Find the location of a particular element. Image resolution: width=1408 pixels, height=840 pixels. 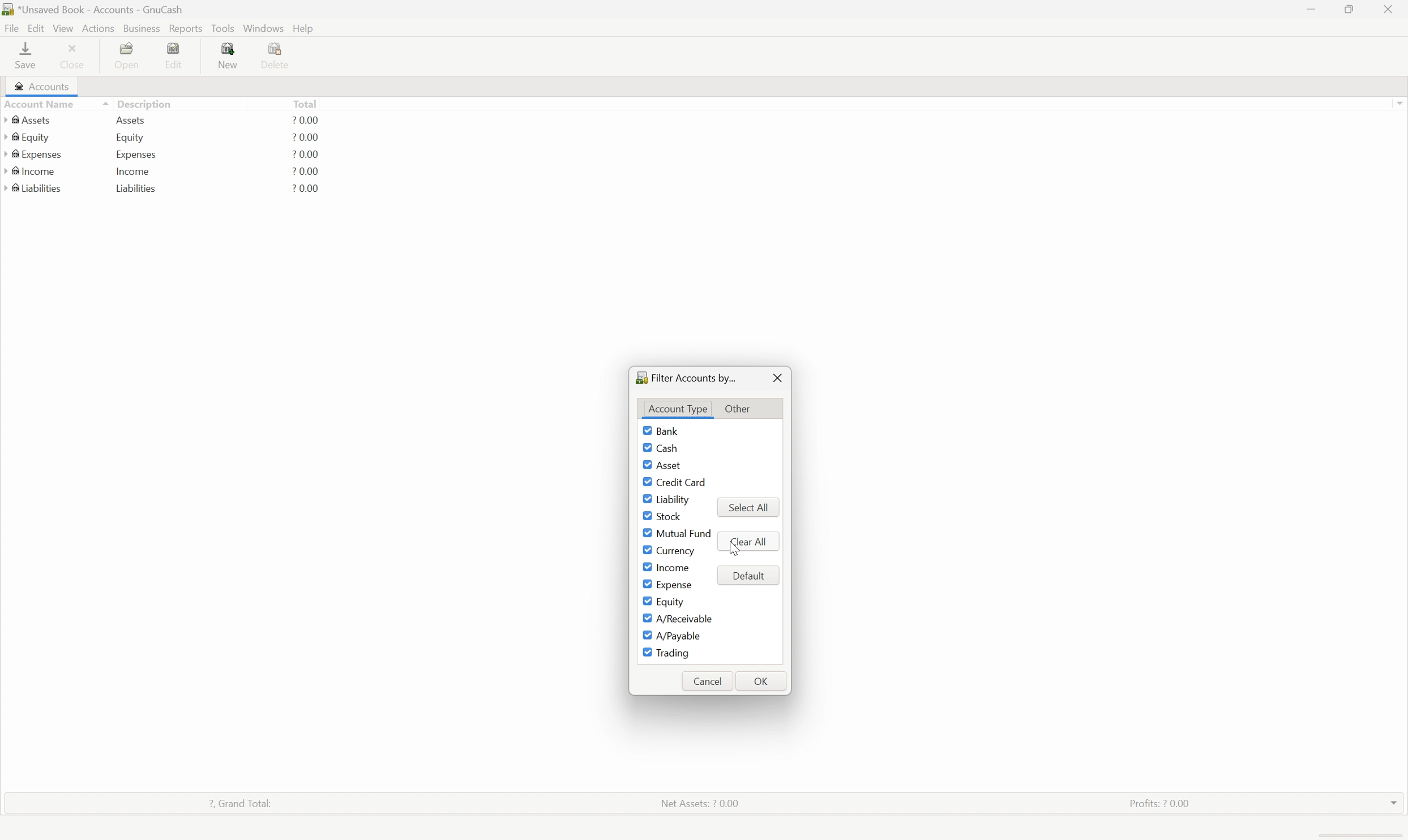

Close is located at coordinates (76, 54).